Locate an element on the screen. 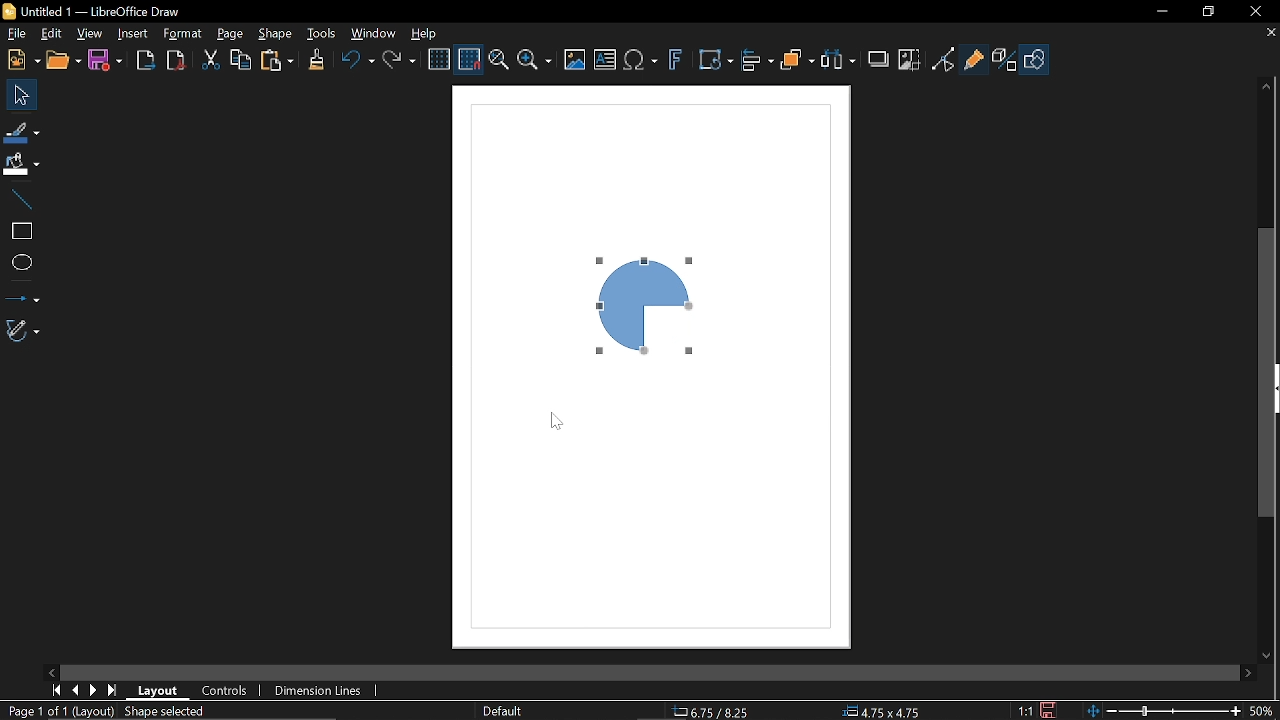 This screenshot has height=720, width=1280. Controls is located at coordinates (226, 691).